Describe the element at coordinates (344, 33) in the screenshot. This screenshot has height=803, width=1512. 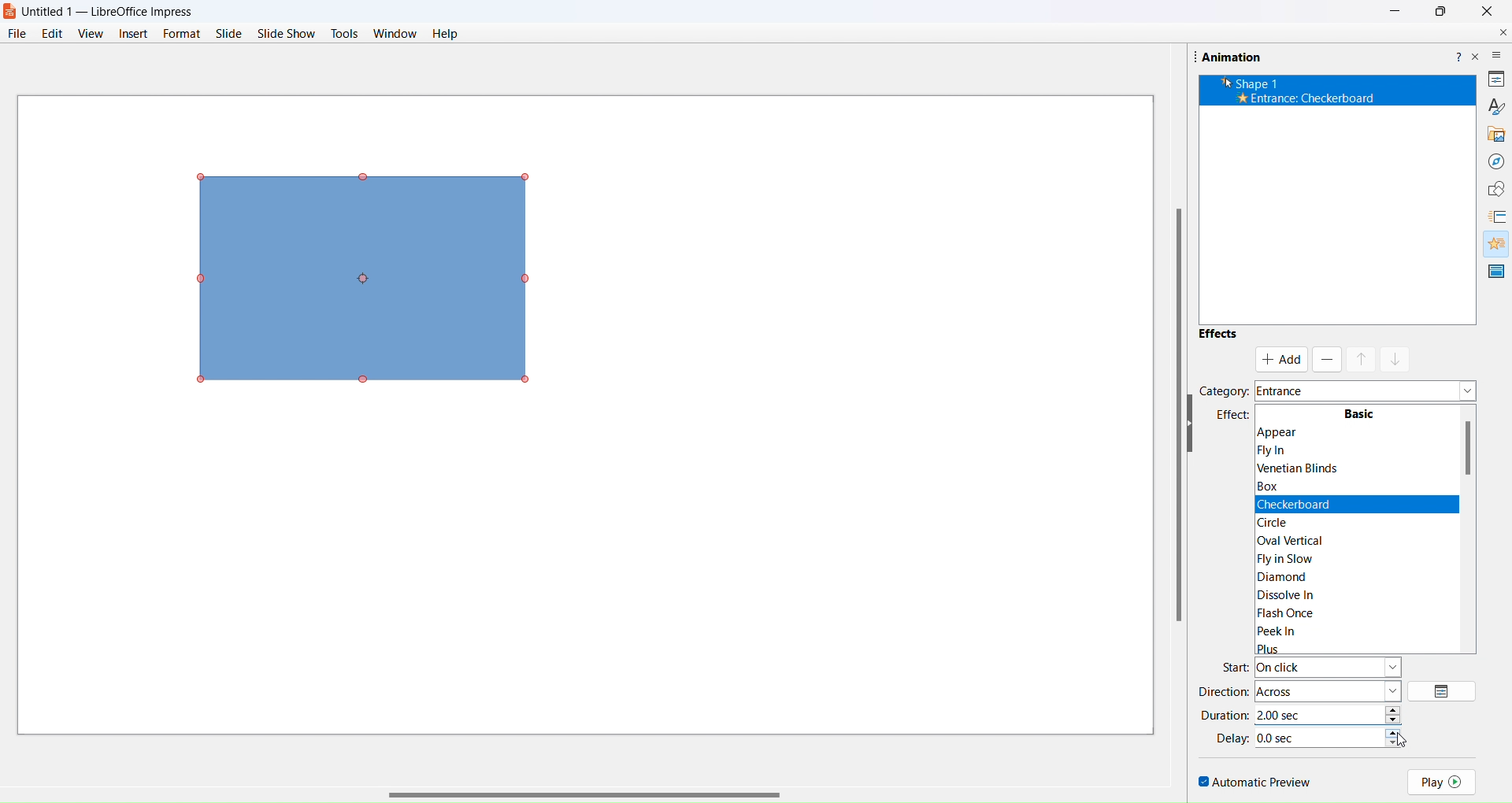
I see `tools` at that location.